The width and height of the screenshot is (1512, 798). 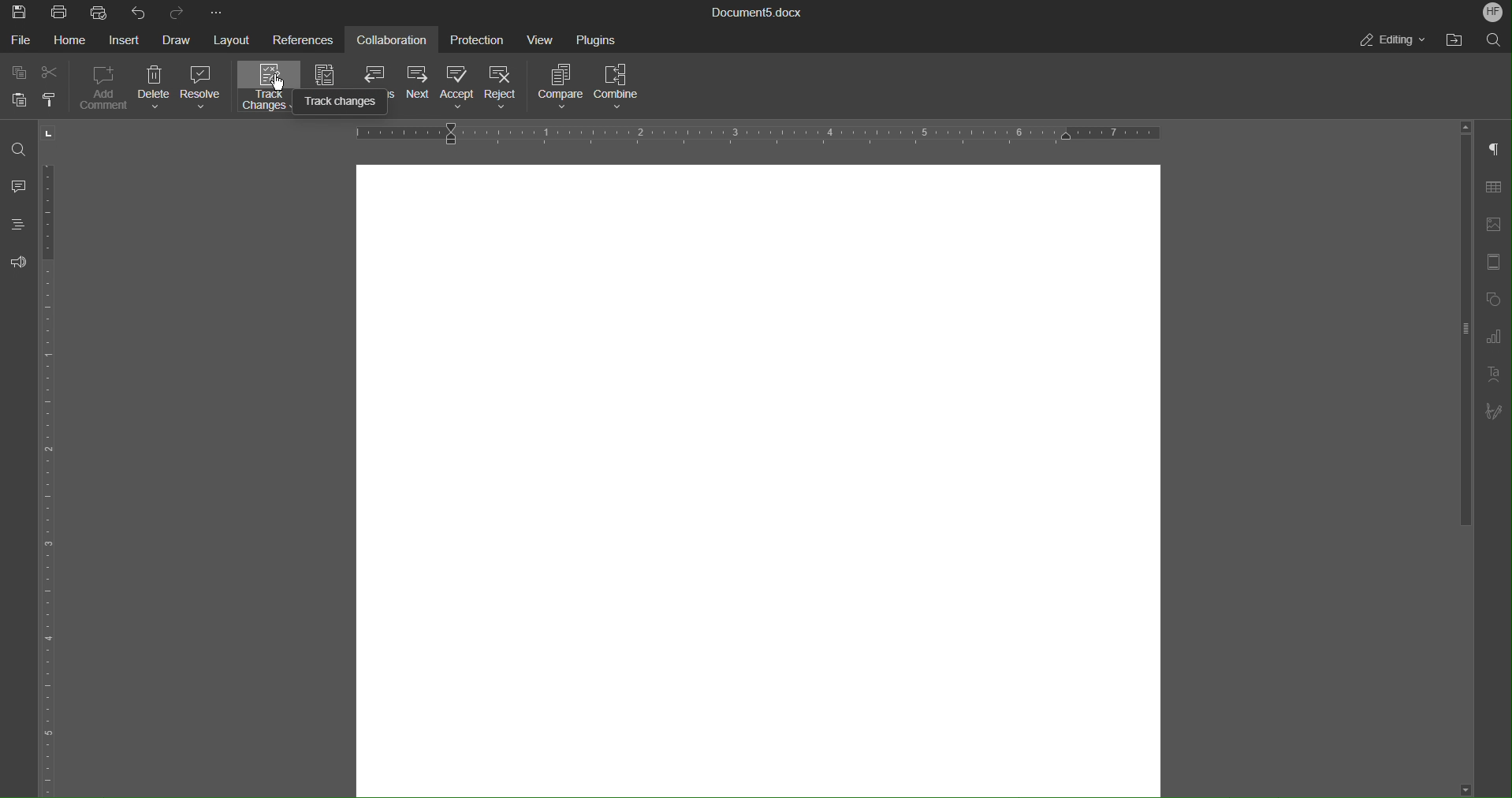 What do you see at coordinates (758, 132) in the screenshot?
I see `Horizontal Ruler` at bounding box center [758, 132].